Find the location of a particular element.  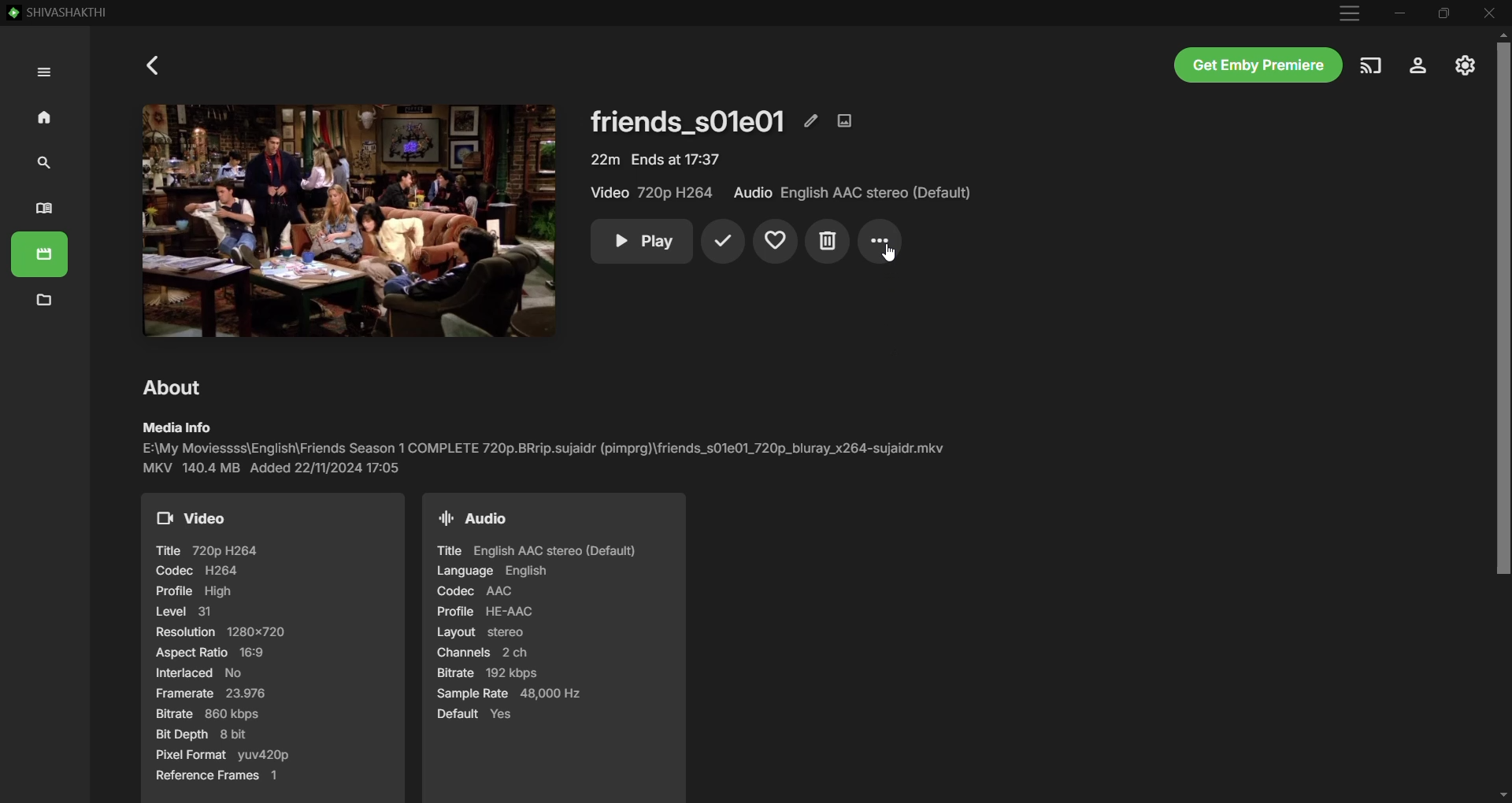

Play is located at coordinates (641, 242).